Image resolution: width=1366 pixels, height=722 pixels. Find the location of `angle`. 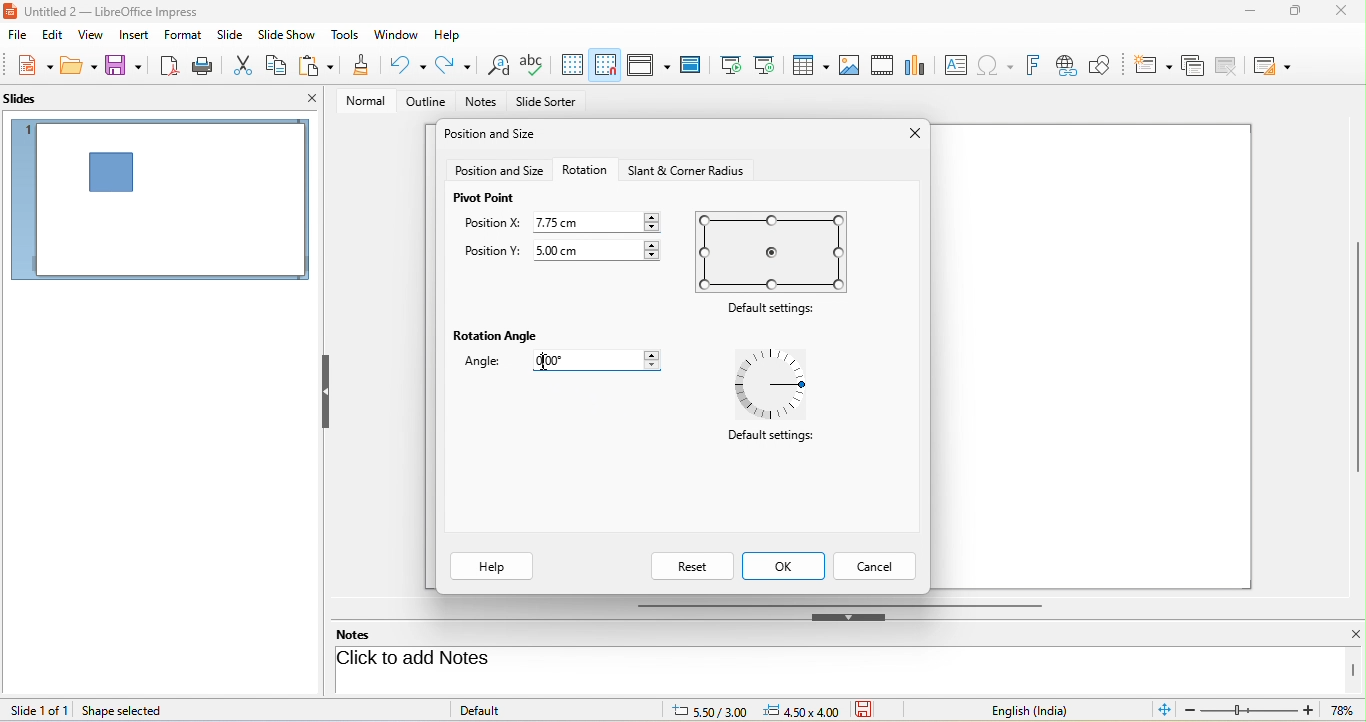

angle is located at coordinates (489, 364).